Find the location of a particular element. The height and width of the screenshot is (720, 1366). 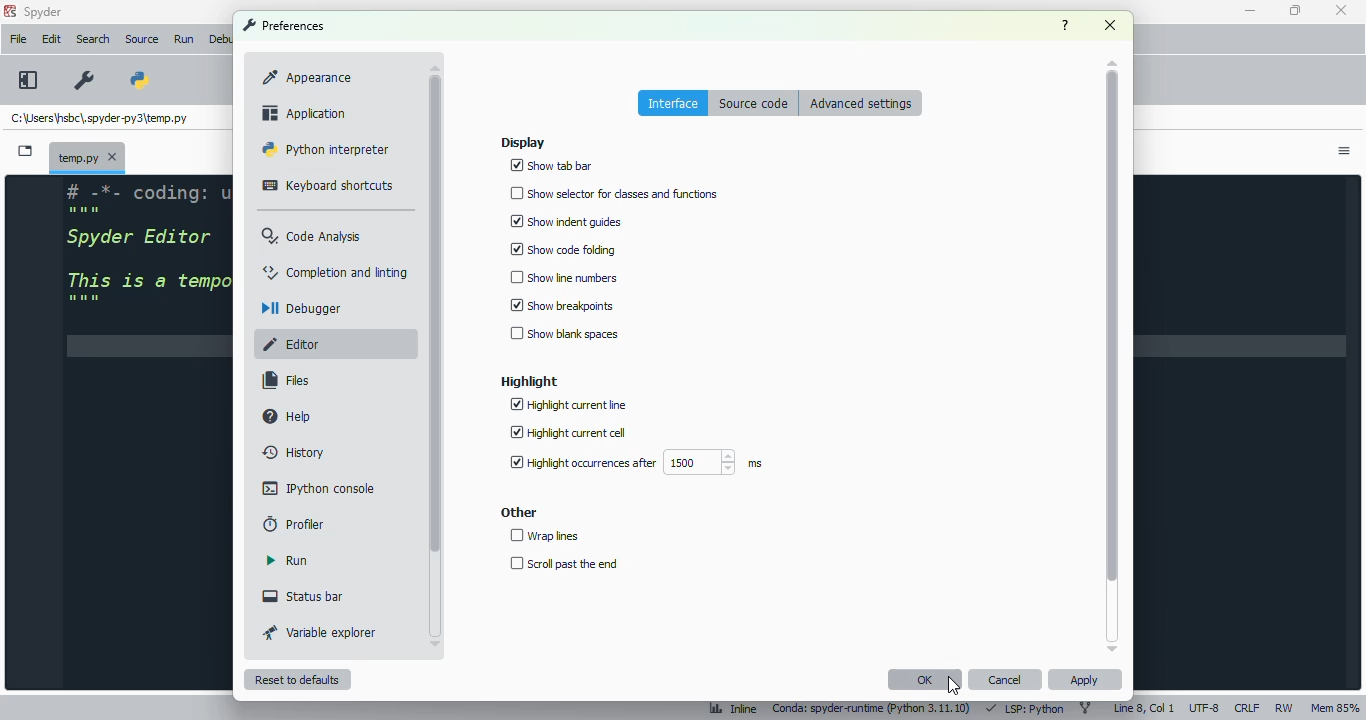

maximize current pane is located at coordinates (27, 79).